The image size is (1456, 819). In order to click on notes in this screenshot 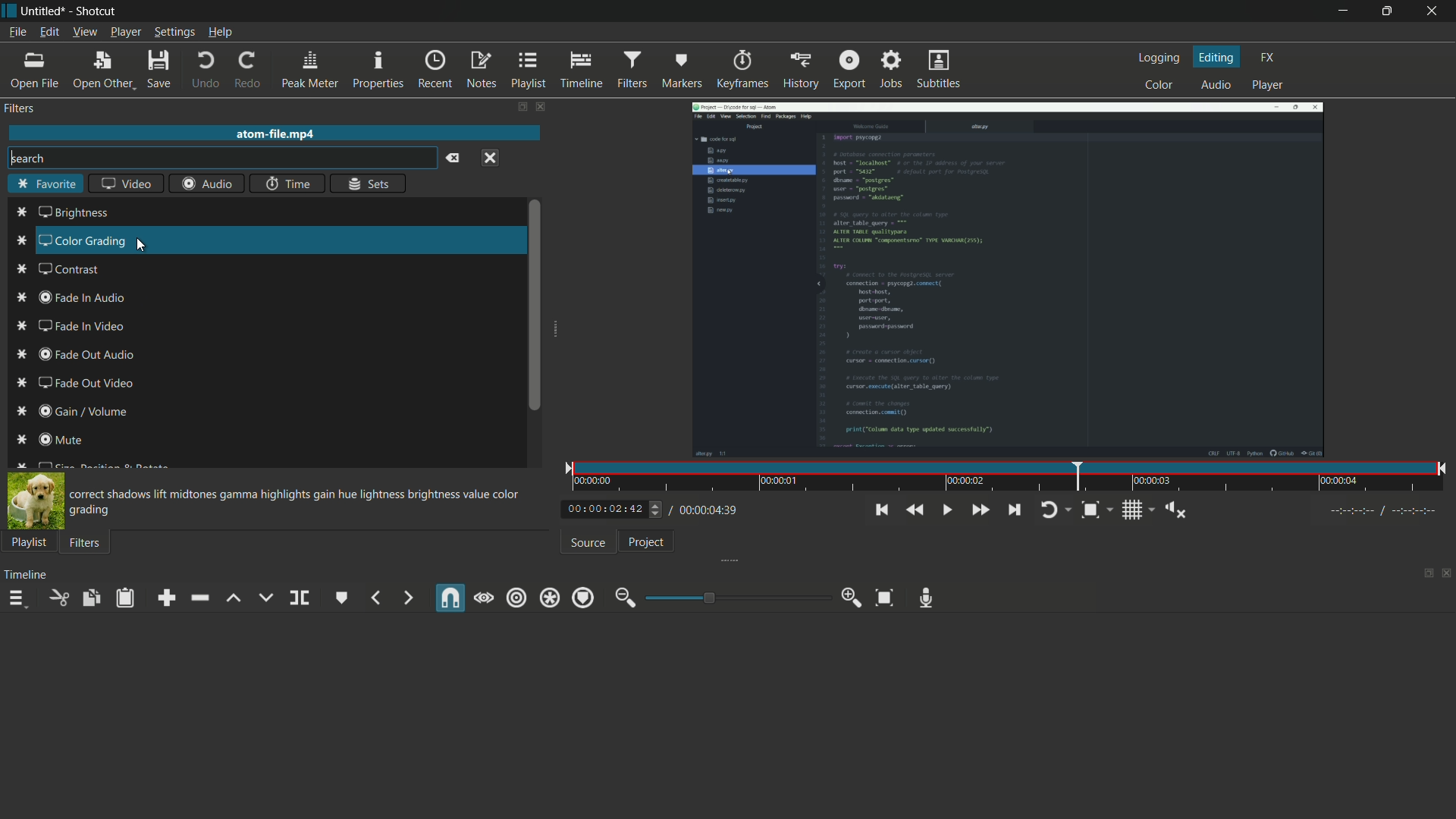, I will do `click(480, 70)`.